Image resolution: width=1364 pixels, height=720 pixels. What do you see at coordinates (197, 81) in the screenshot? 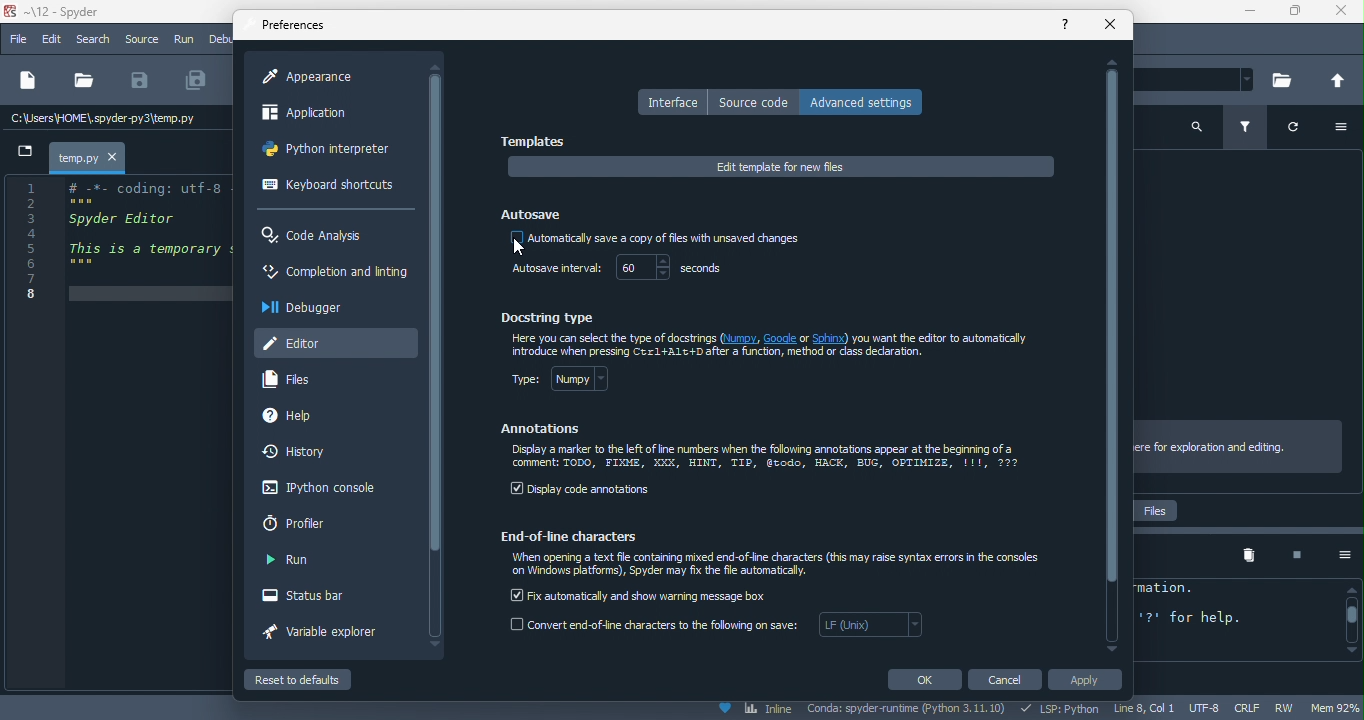
I see `save all` at bounding box center [197, 81].